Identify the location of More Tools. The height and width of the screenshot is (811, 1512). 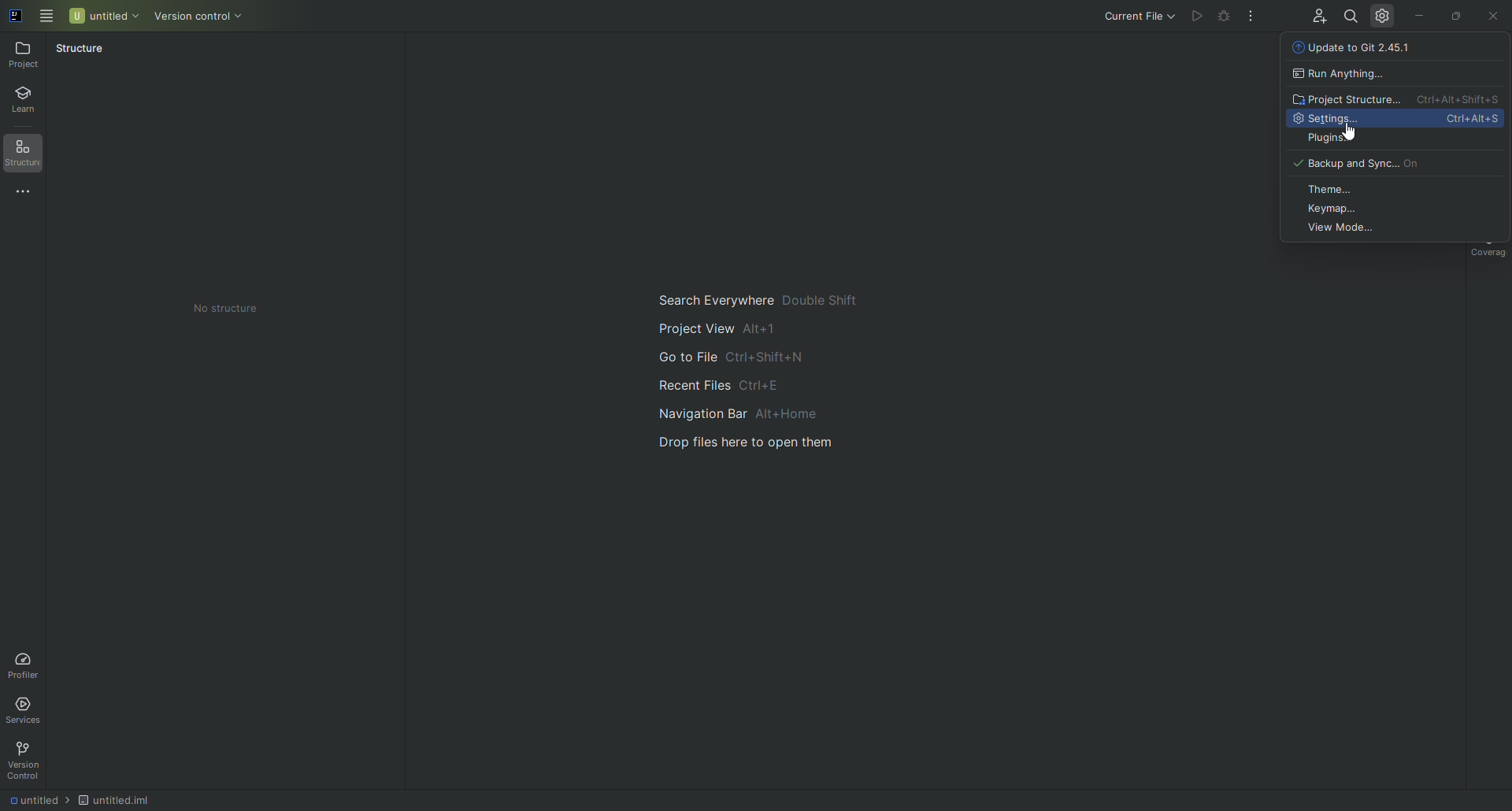
(27, 194).